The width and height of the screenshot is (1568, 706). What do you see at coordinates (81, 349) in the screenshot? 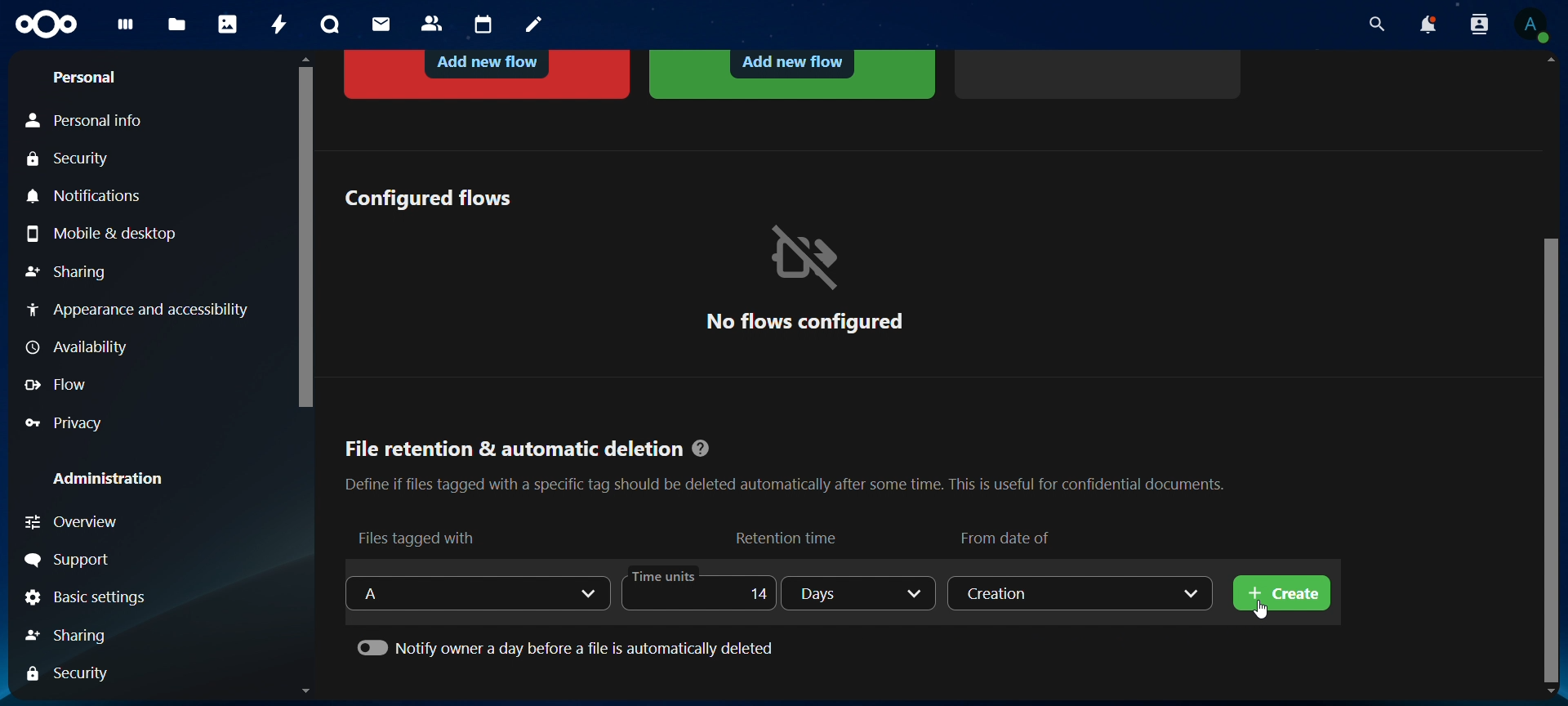
I see `availabilty` at bounding box center [81, 349].